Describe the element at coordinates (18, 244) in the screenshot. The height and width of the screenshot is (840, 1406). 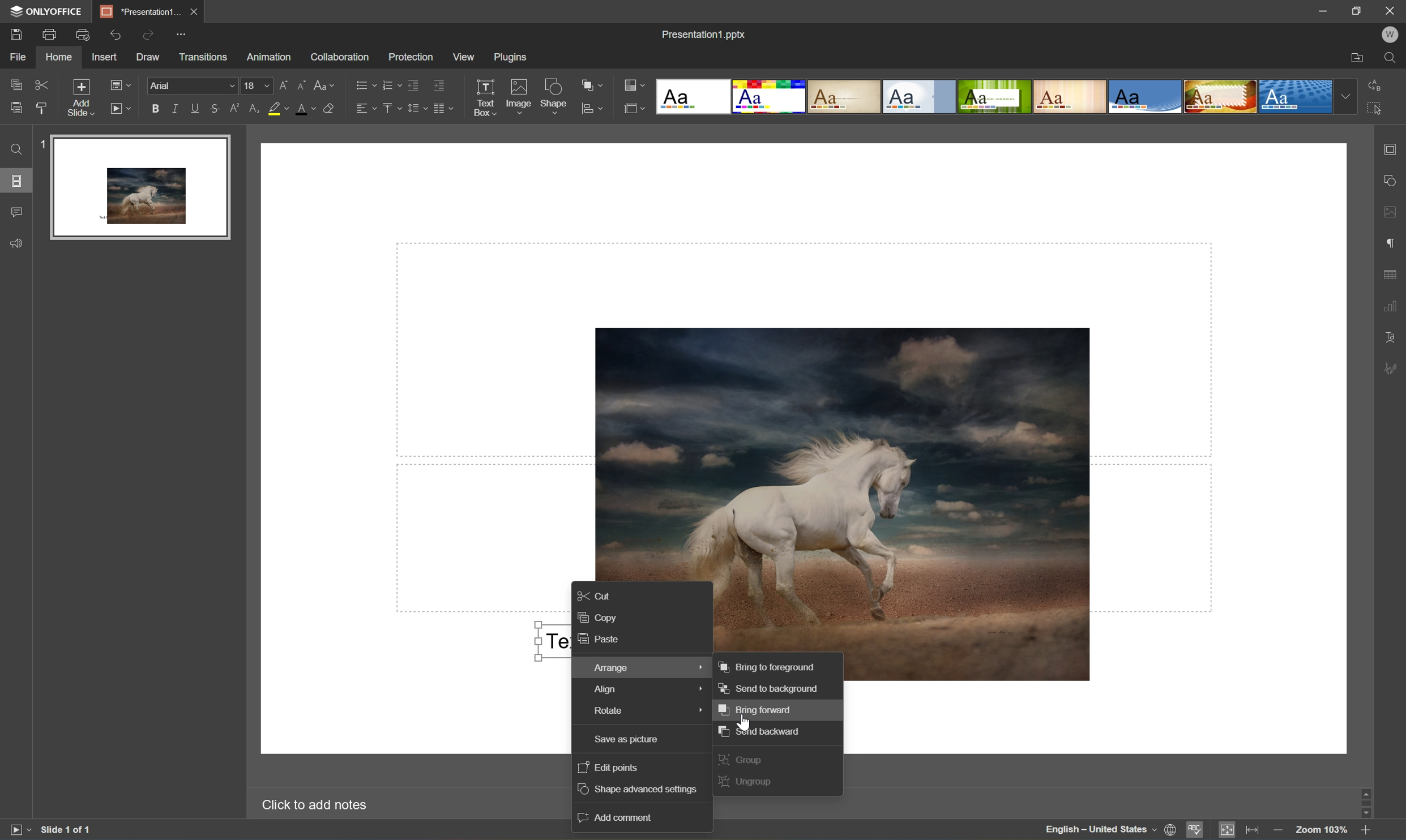
I see `Feedback & Support` at that location.